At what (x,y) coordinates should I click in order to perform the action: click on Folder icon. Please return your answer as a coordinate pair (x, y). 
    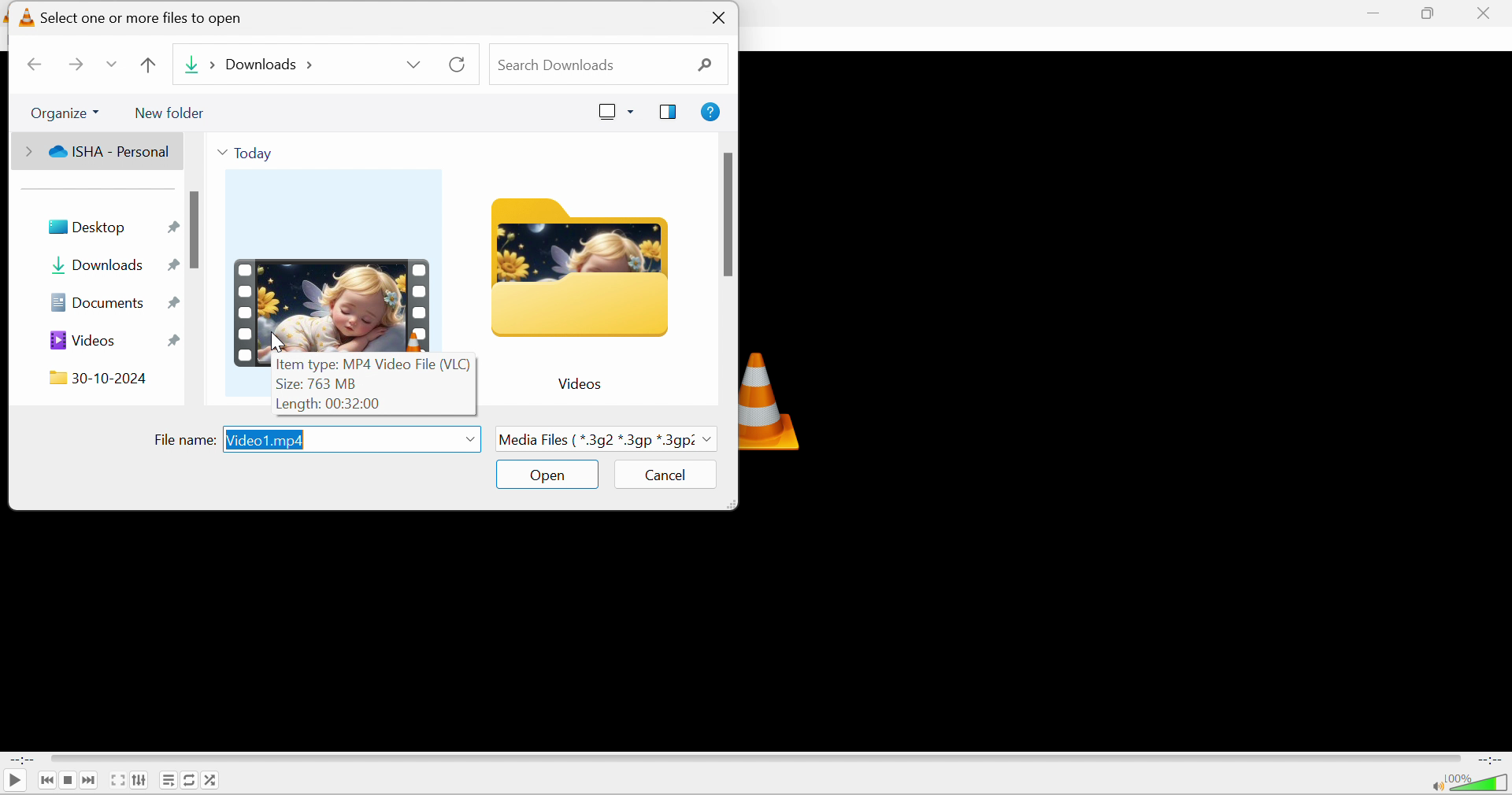
    Looking at the image, I should click on (584, 268).